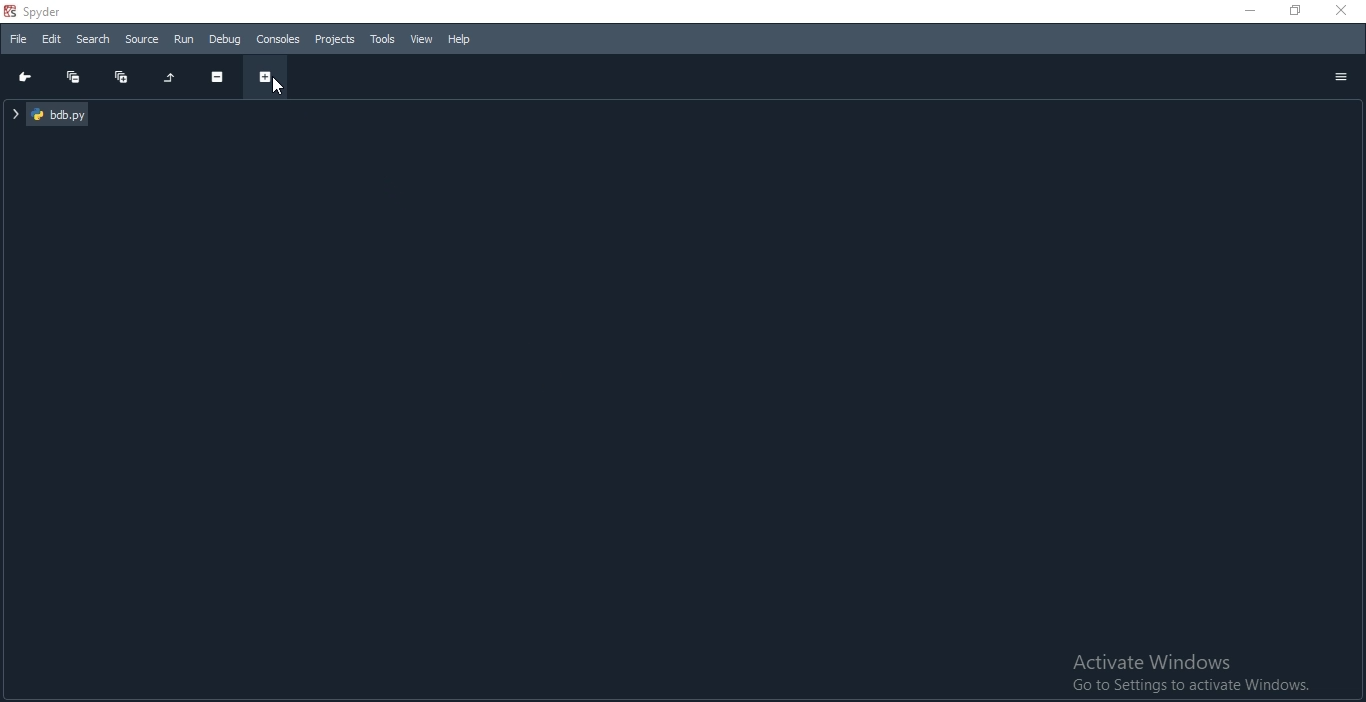 This screenshot has height=702, width=1366. What do you see at coordinates (278, 38) in the screenshot?
I see `Consoles` at bounding box center [278, 38].